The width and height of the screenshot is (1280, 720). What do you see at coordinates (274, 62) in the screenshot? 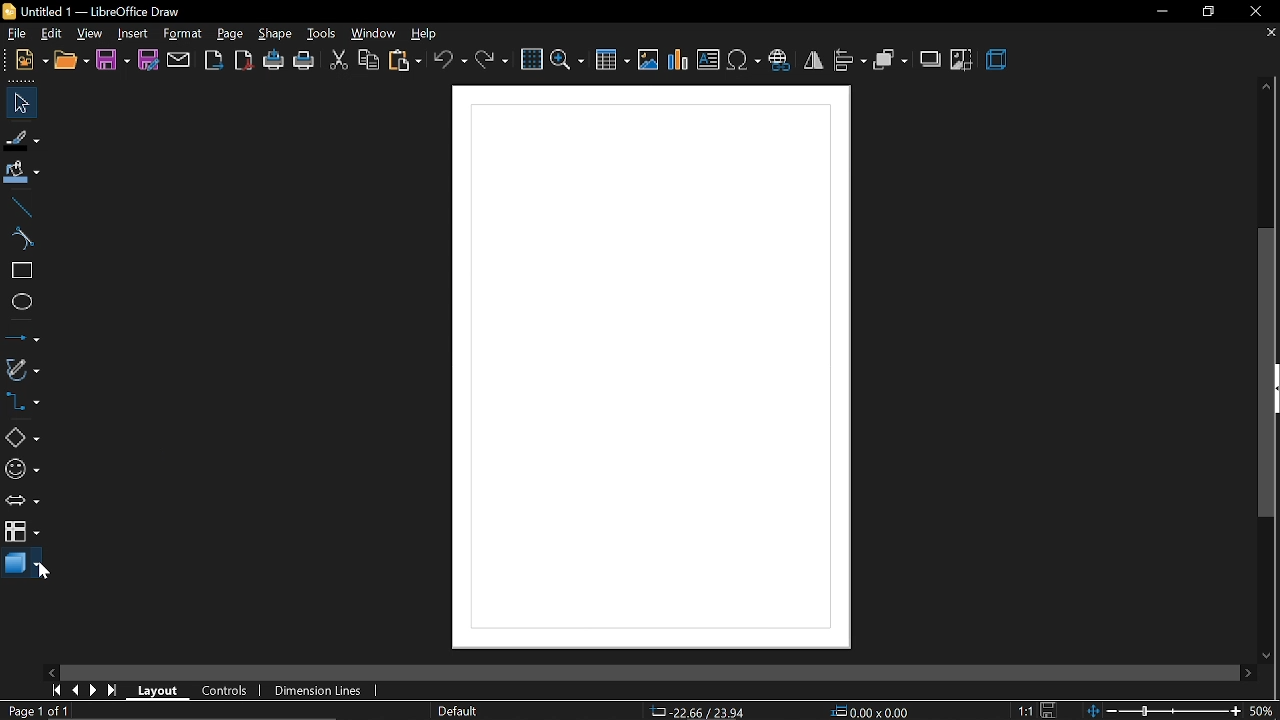
I see `print directly` at bounding box center [274, 62].